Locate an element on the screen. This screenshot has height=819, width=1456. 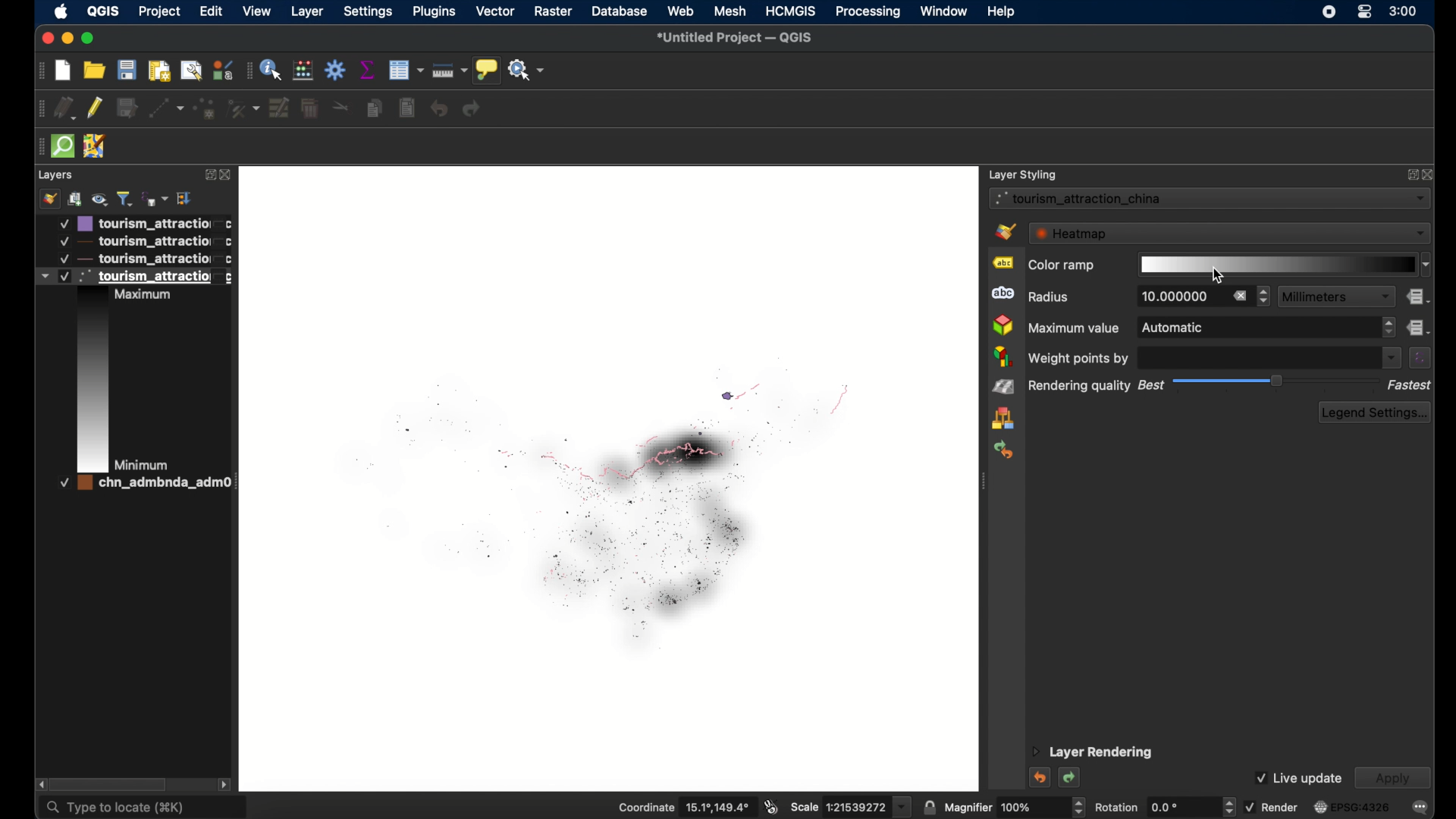
maximize is located at coordinates (90, 39).